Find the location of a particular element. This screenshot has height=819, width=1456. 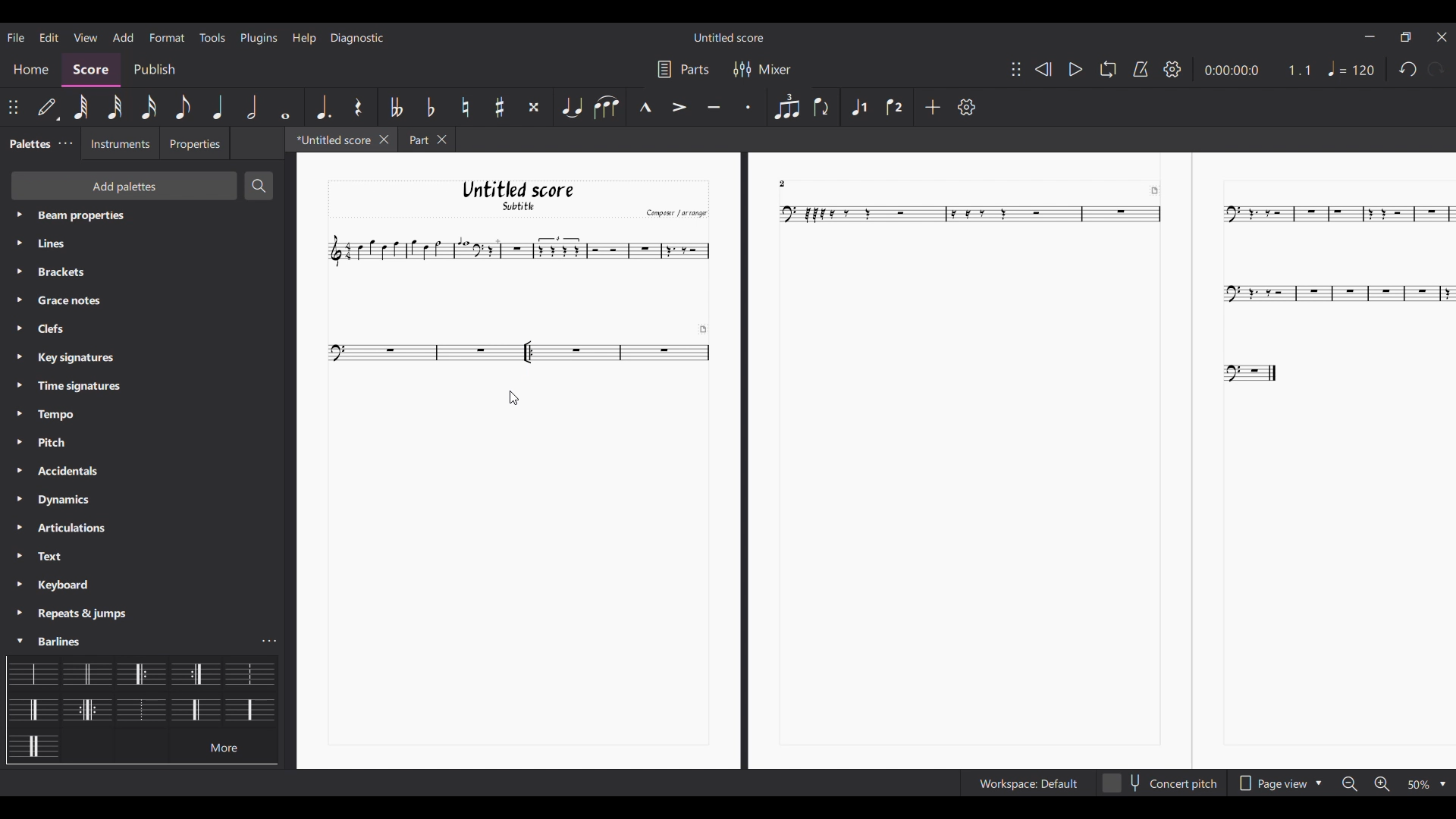

Barline settings is located at coordinates (271, 642).